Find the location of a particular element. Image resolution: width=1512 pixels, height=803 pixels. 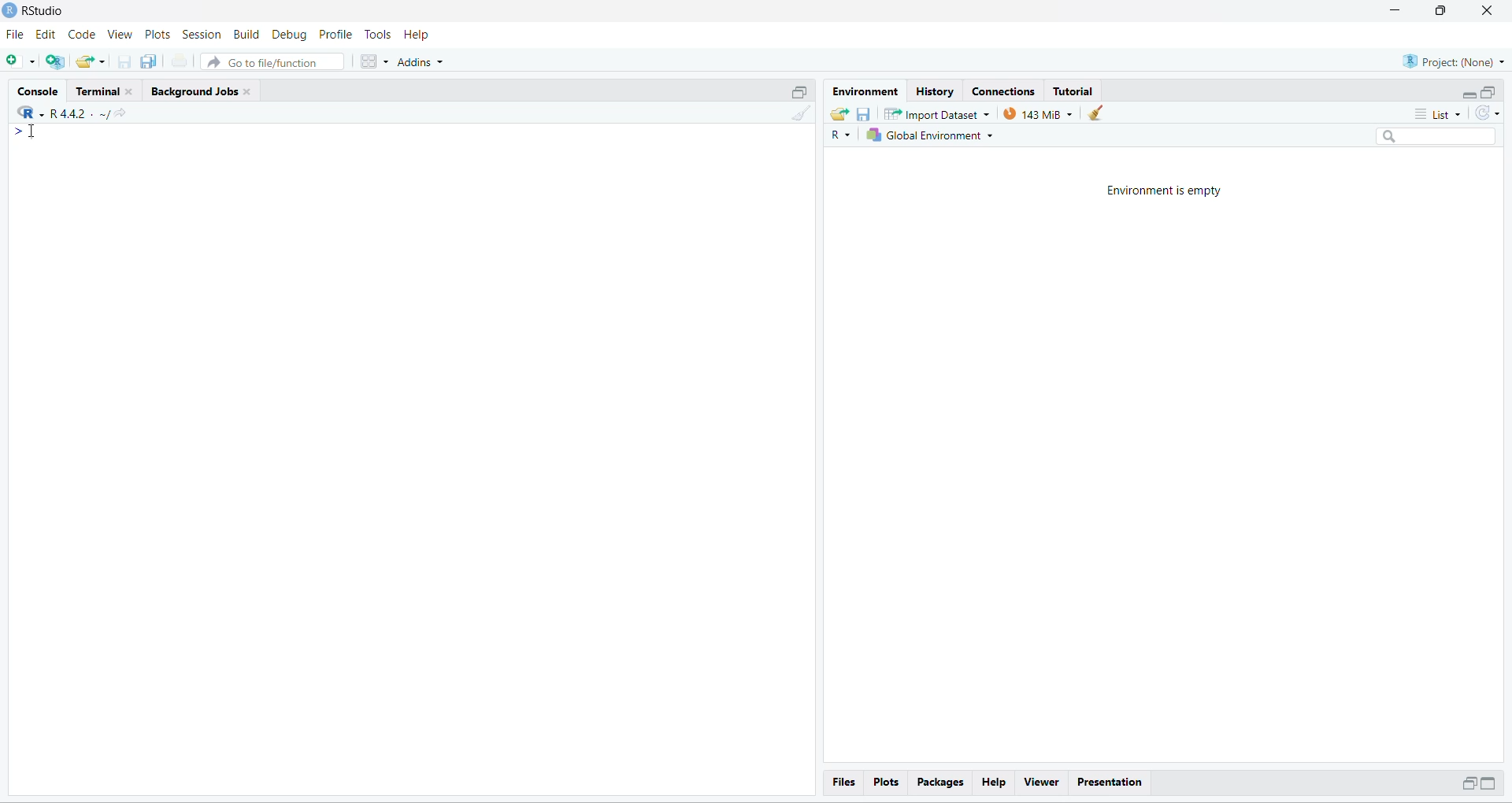

console is located at coordinates (41, 92).